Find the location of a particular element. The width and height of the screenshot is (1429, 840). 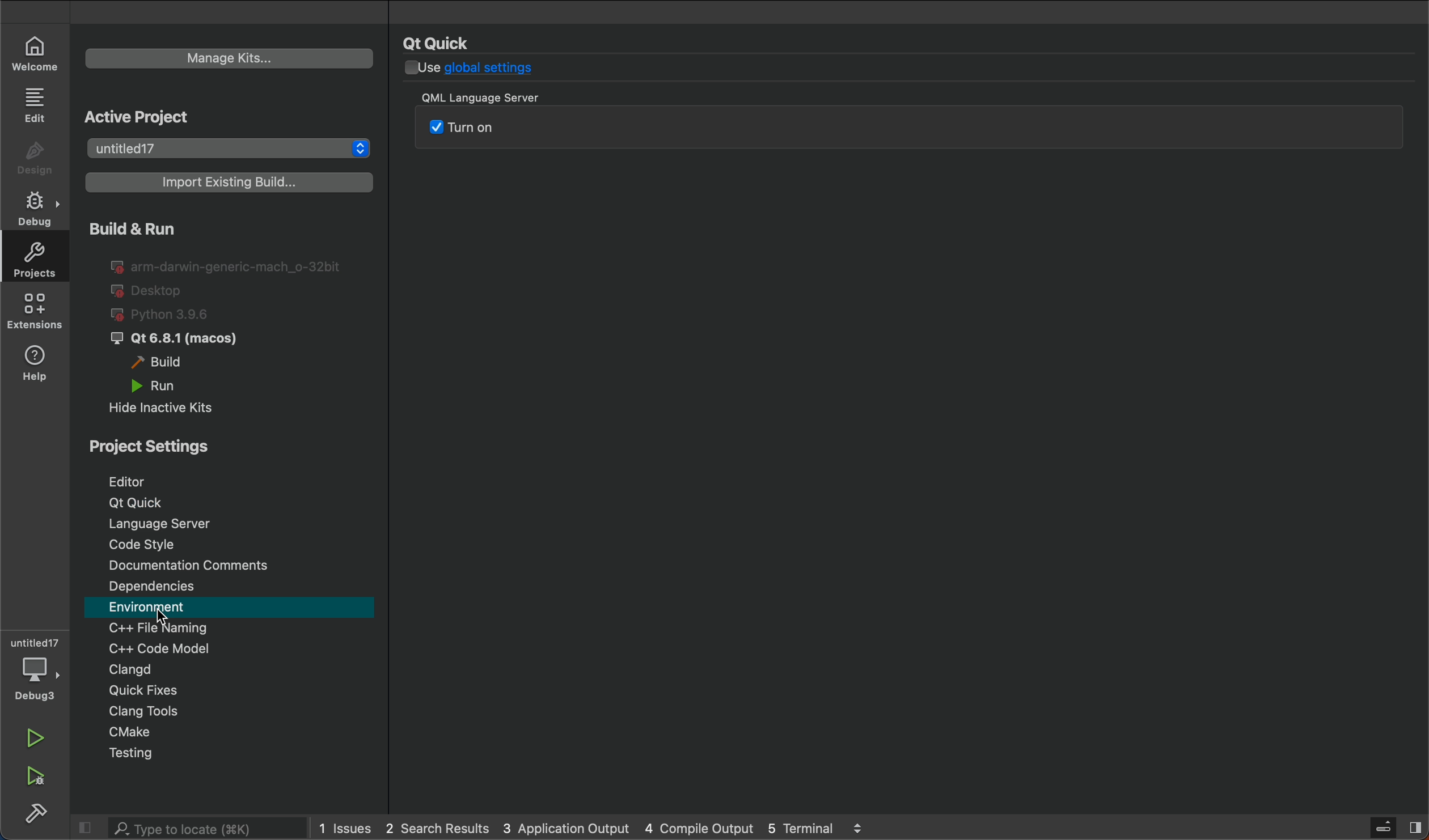

cmake is located at coordinates (239, 732).